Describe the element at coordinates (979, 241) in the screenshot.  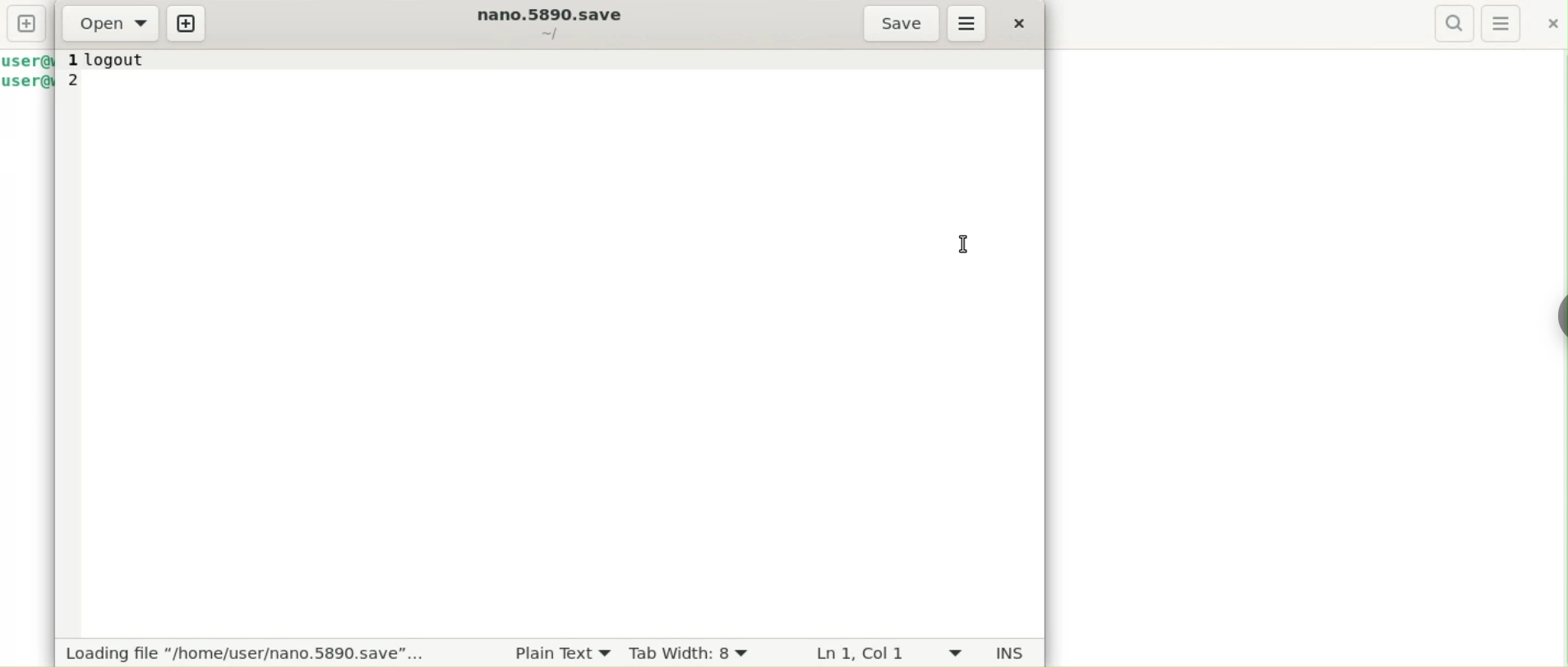
I see `Cursor` at that location.